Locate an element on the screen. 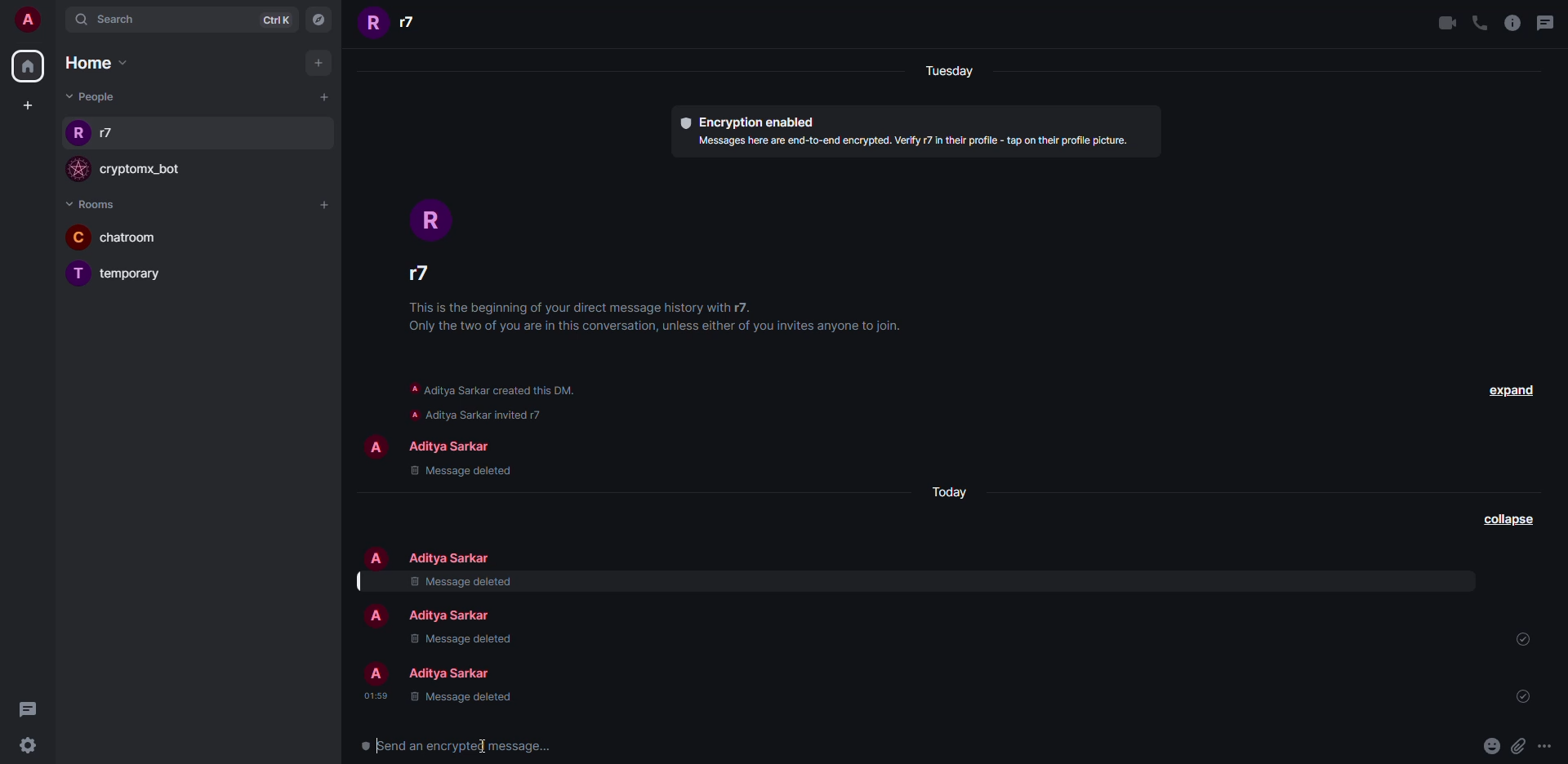 The height and width of the screenshot is (764, 1568). collapse is located at coordinates (1504, 519).